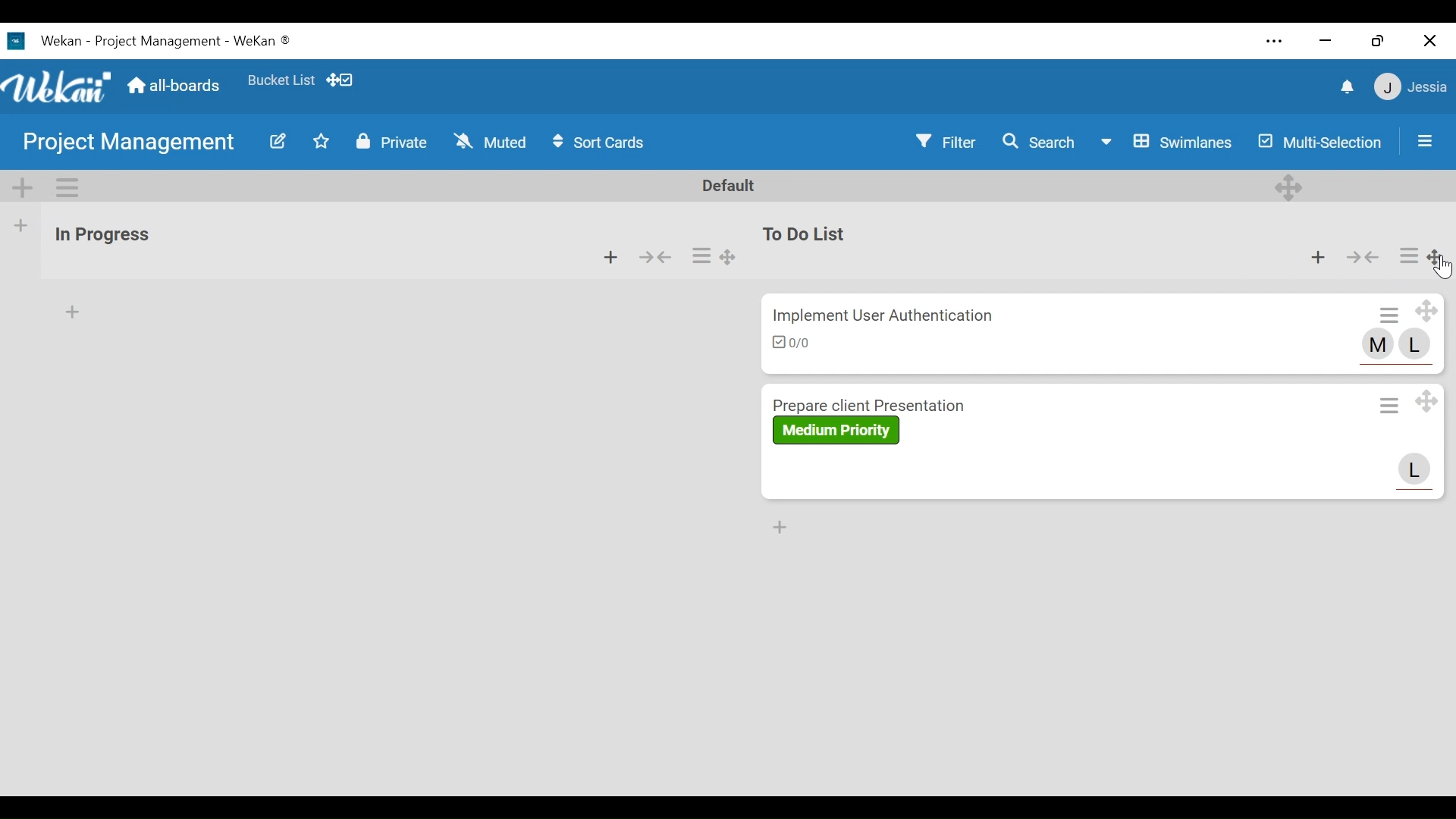  I want to click on Add card to the top of list, so click(610, 257).